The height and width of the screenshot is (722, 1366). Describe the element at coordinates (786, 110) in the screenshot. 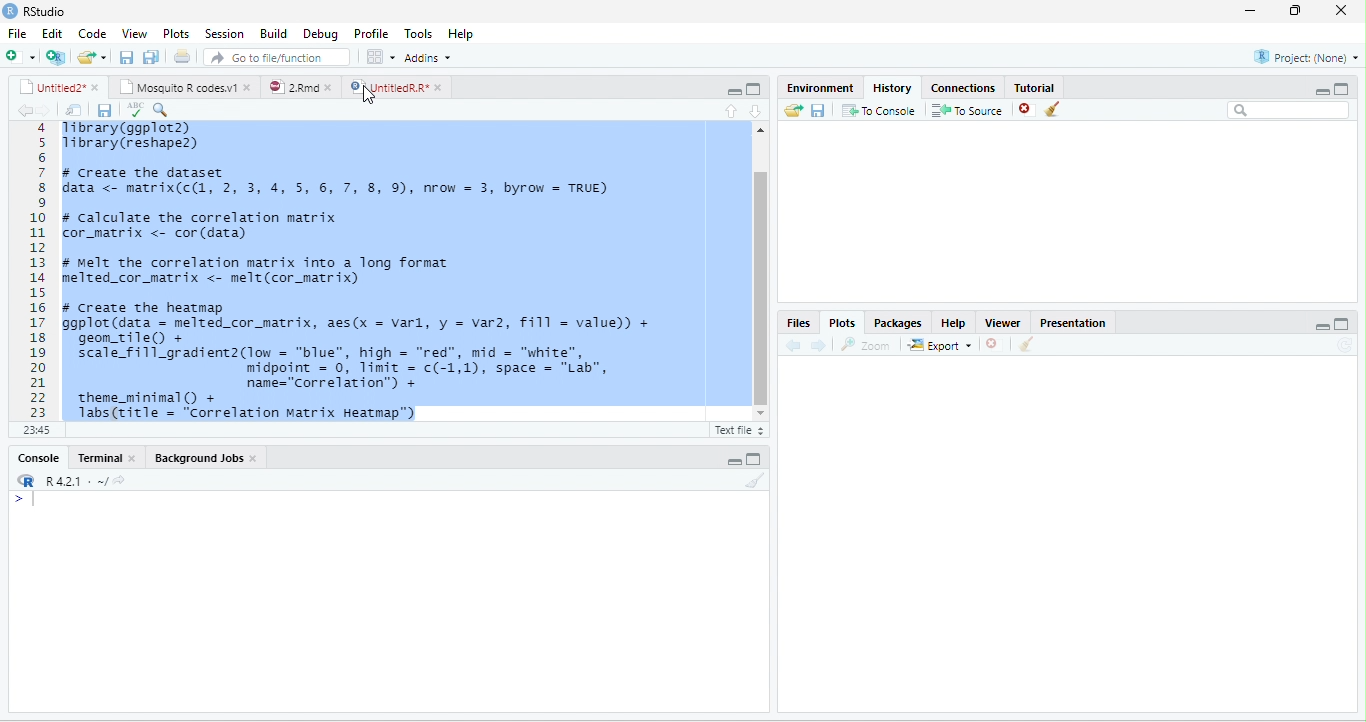

I see `send file` at that location.